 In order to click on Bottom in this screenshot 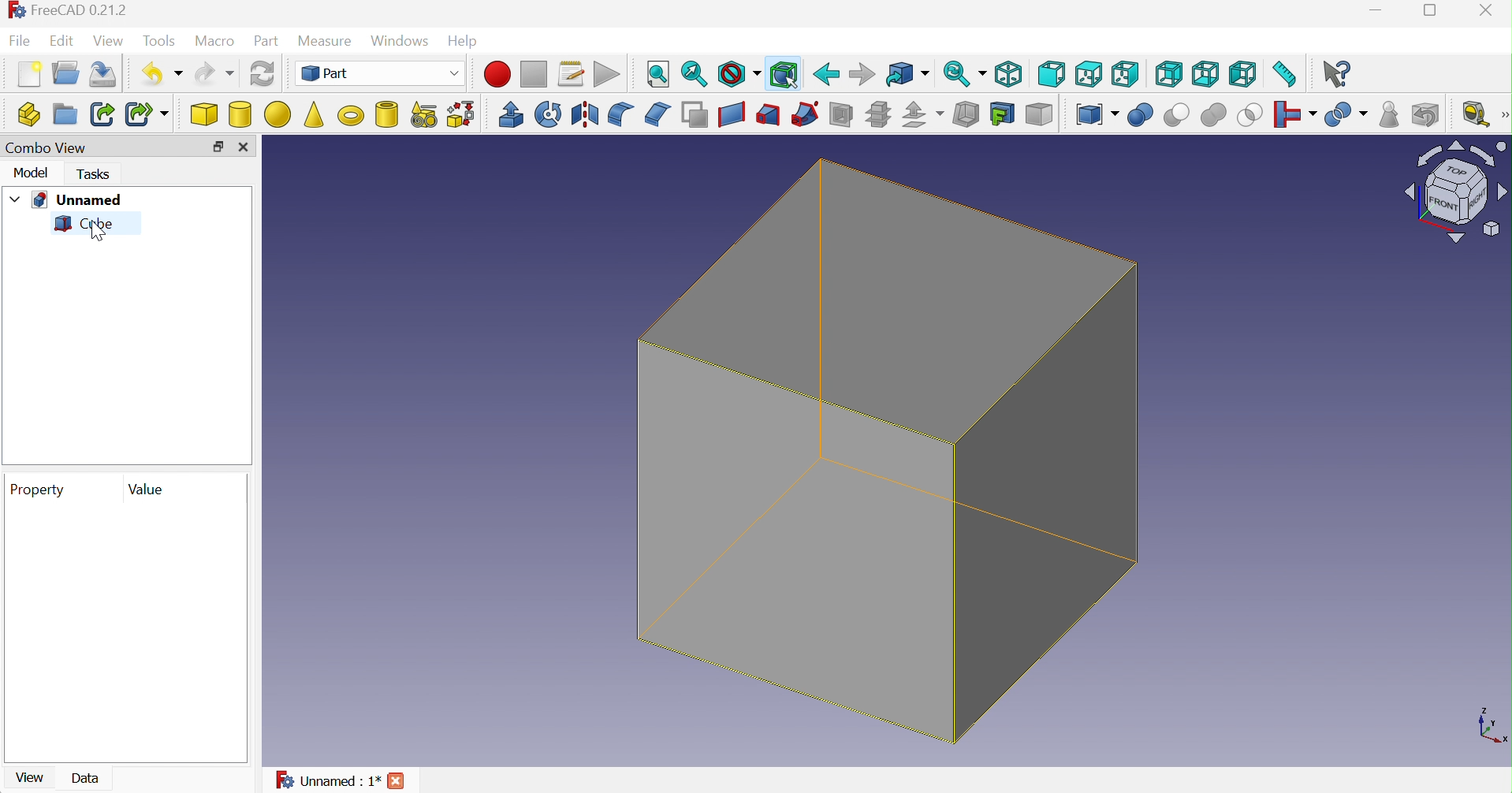, I will do `click(1205, 74)`.